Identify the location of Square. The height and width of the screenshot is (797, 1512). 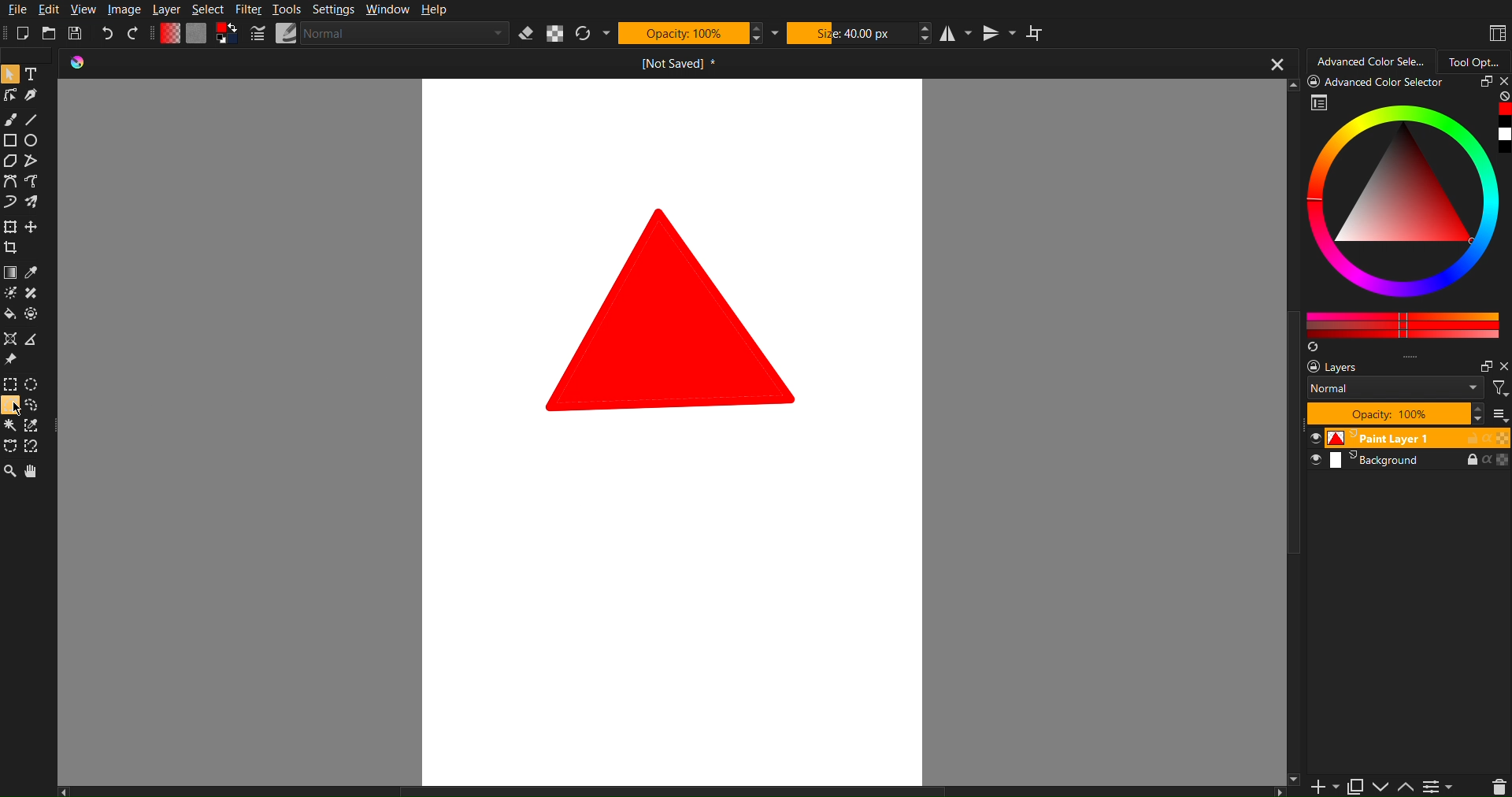
(9, 141).